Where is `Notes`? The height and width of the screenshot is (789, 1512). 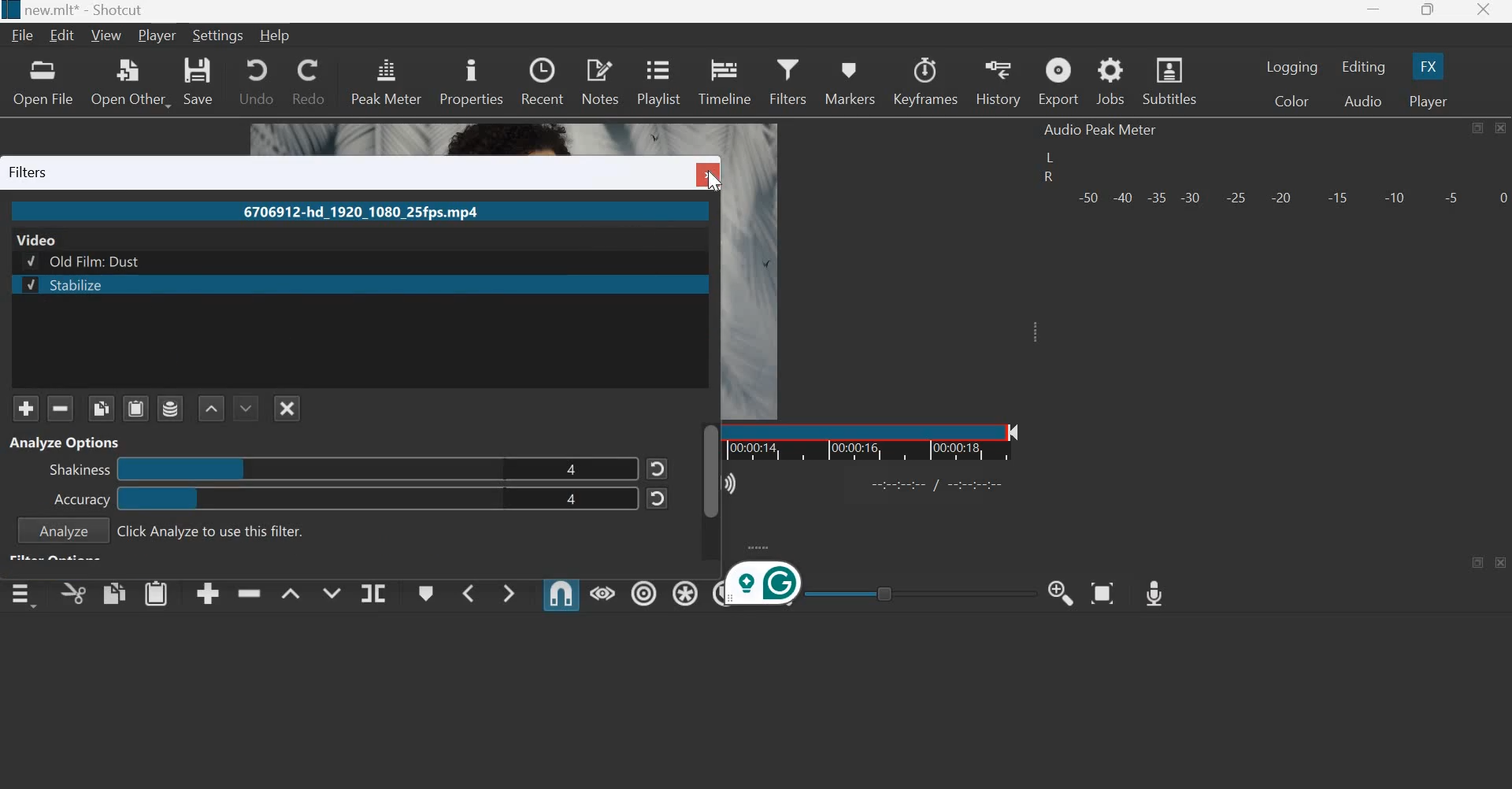
Notes is located at coordinates (600, 81).